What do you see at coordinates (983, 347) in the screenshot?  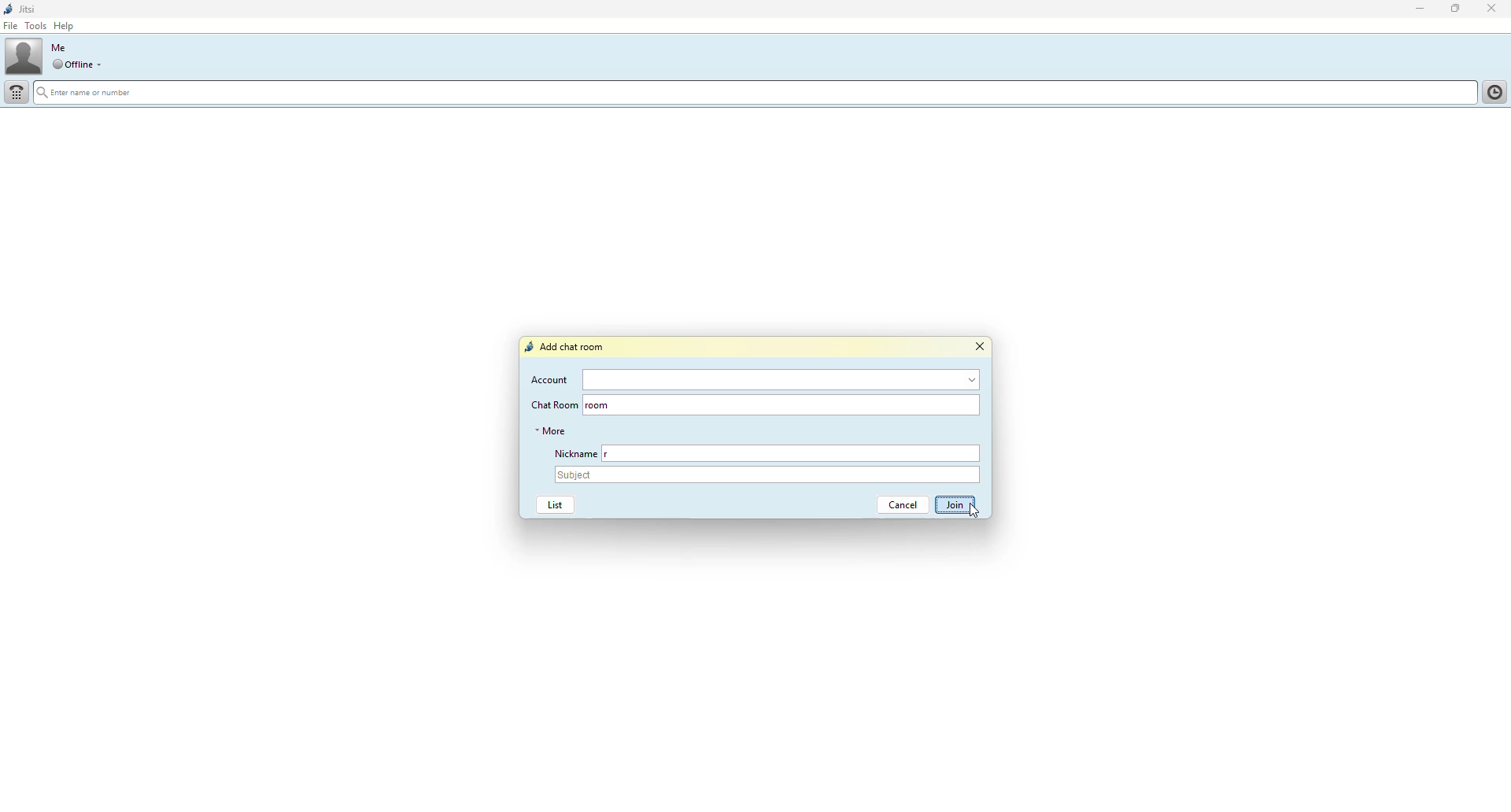 I see `close` at bounding box center [983, 347].